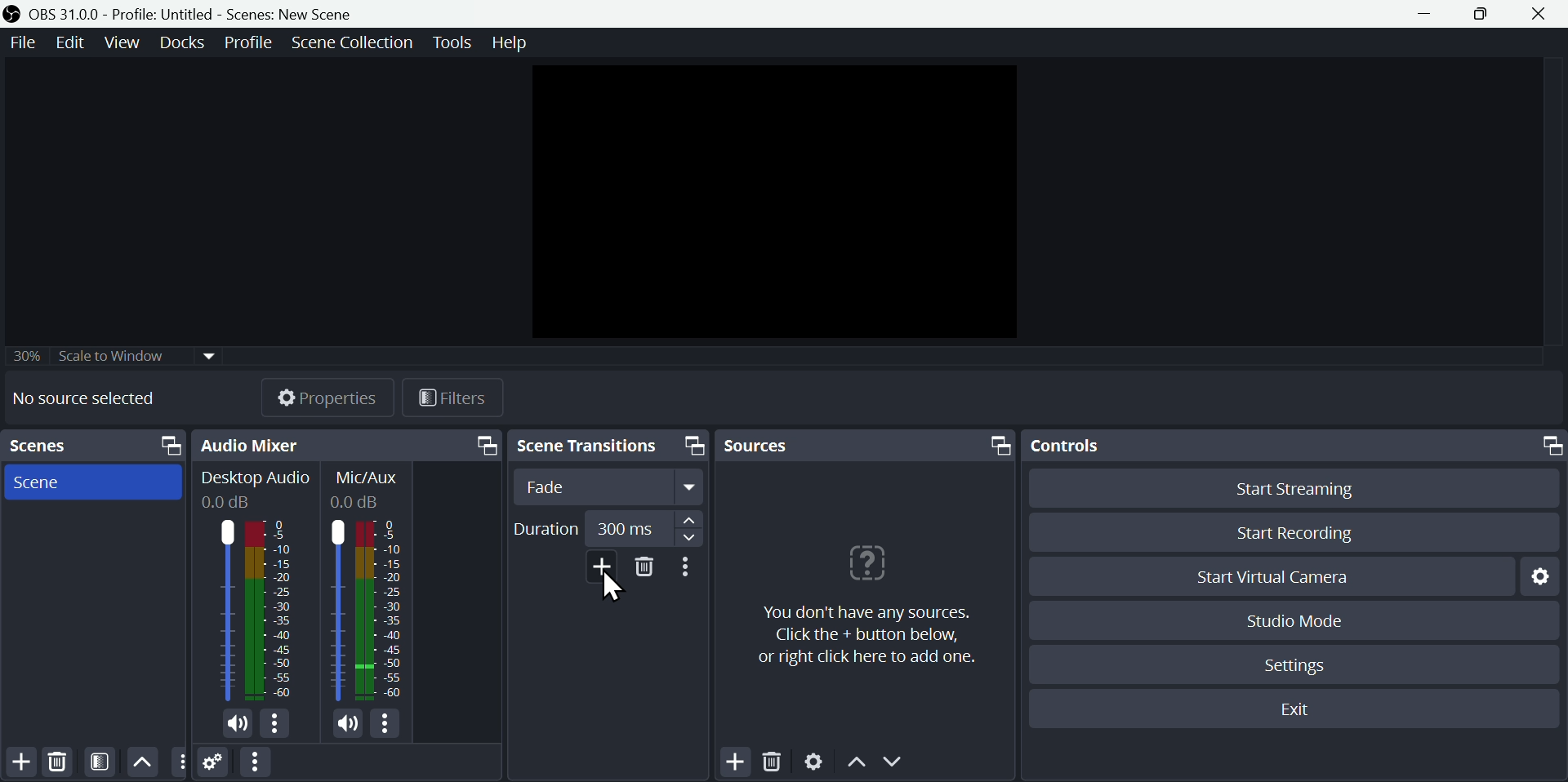  I want to click on fade, so click(608, 489).